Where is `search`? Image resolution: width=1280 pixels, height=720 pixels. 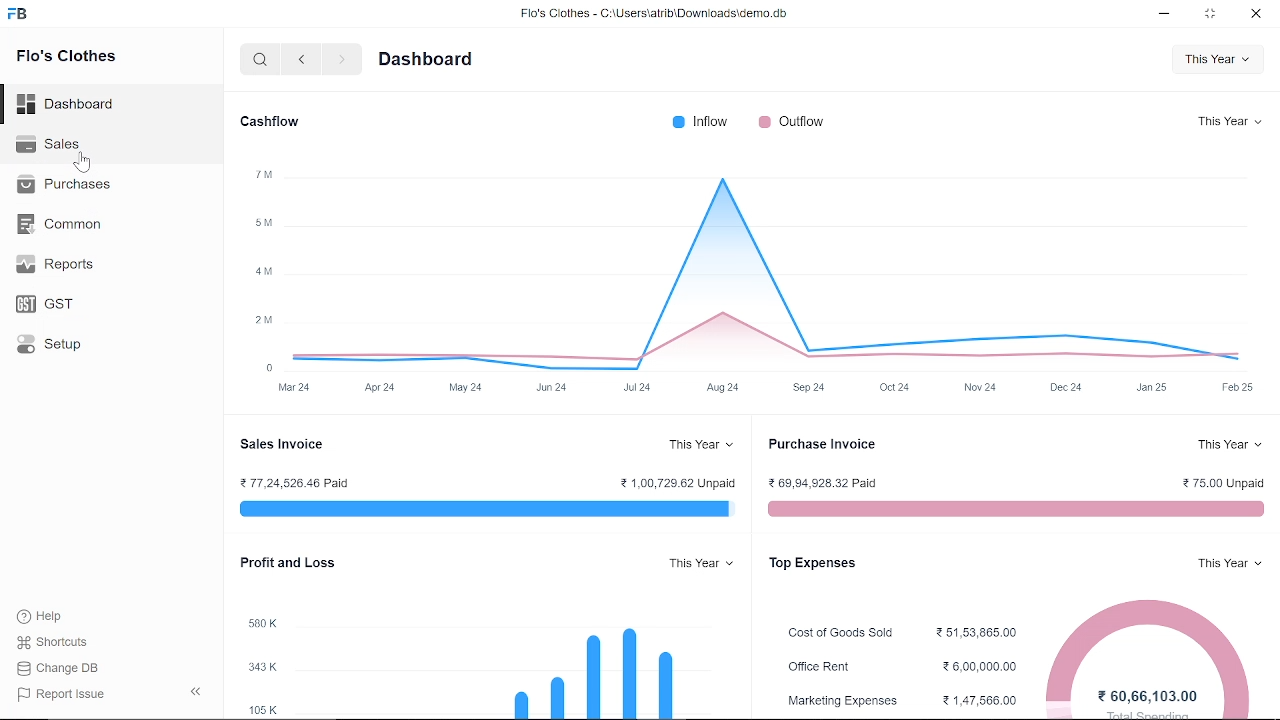
search is located at coordinates (260, 60).